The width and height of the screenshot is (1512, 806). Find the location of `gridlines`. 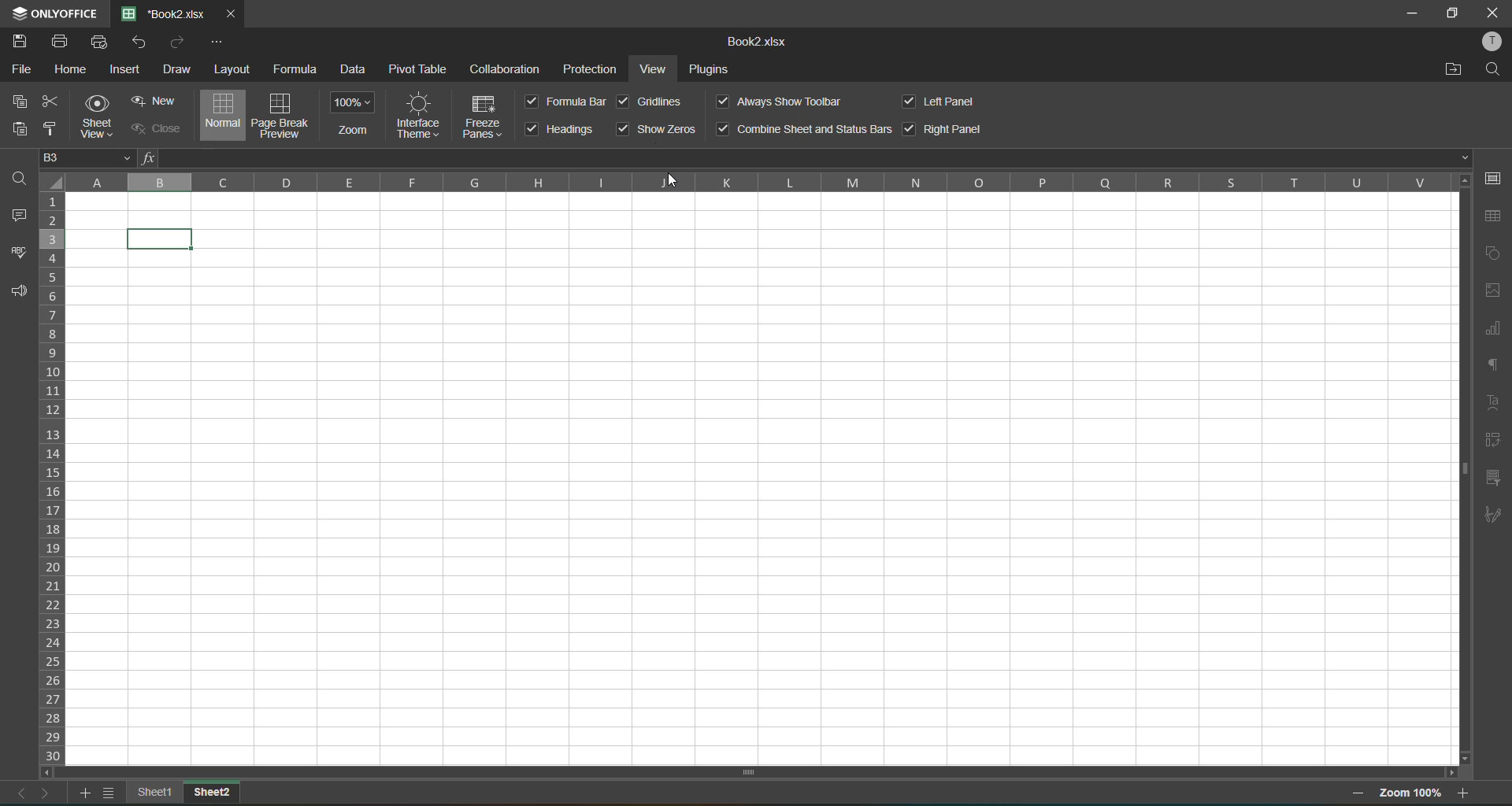

gridlines is located at coordinates (660, 102).